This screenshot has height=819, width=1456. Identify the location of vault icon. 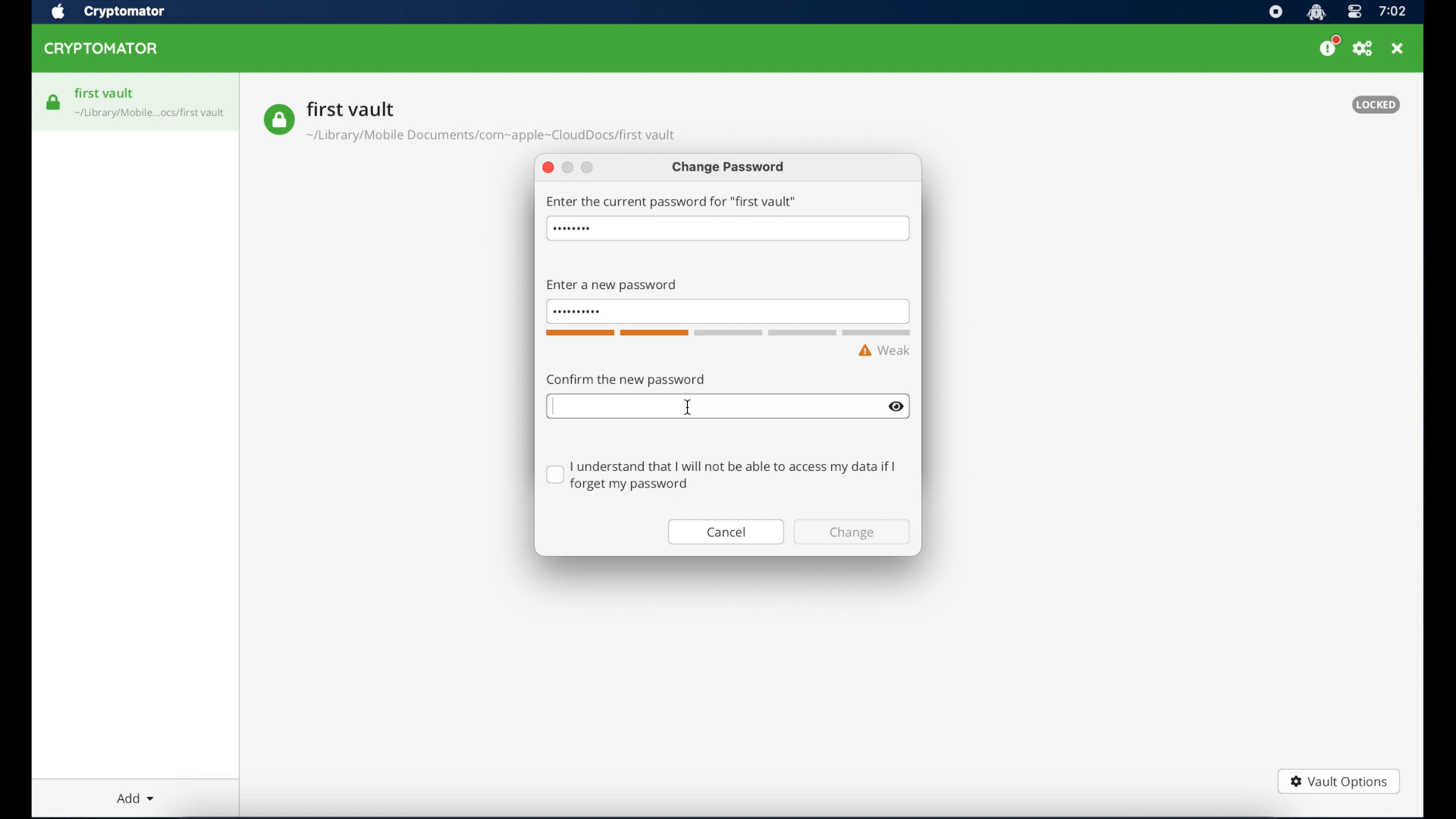
(278, 120).